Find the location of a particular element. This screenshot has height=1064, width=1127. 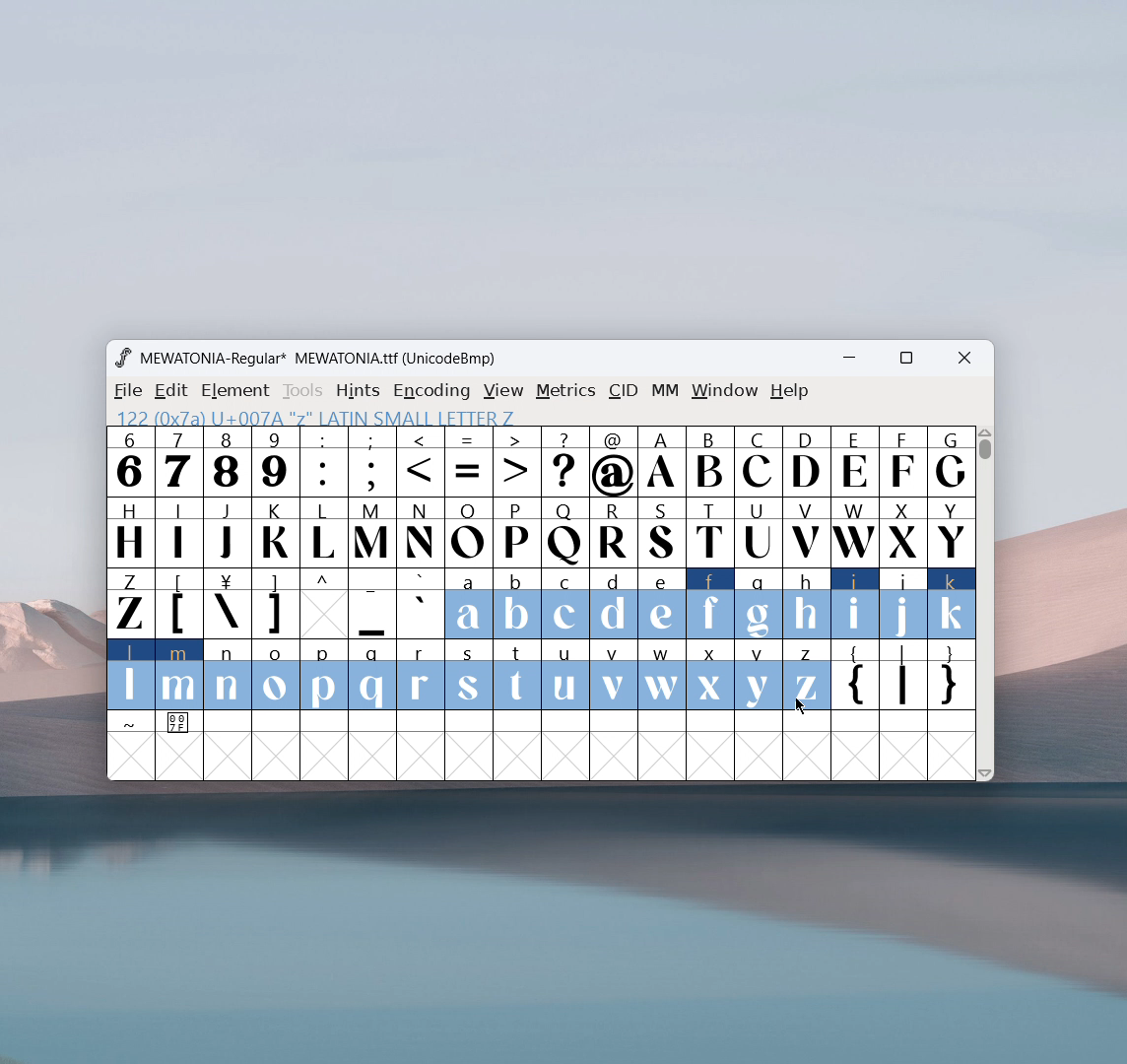

x is located at coordinates (711, 674).